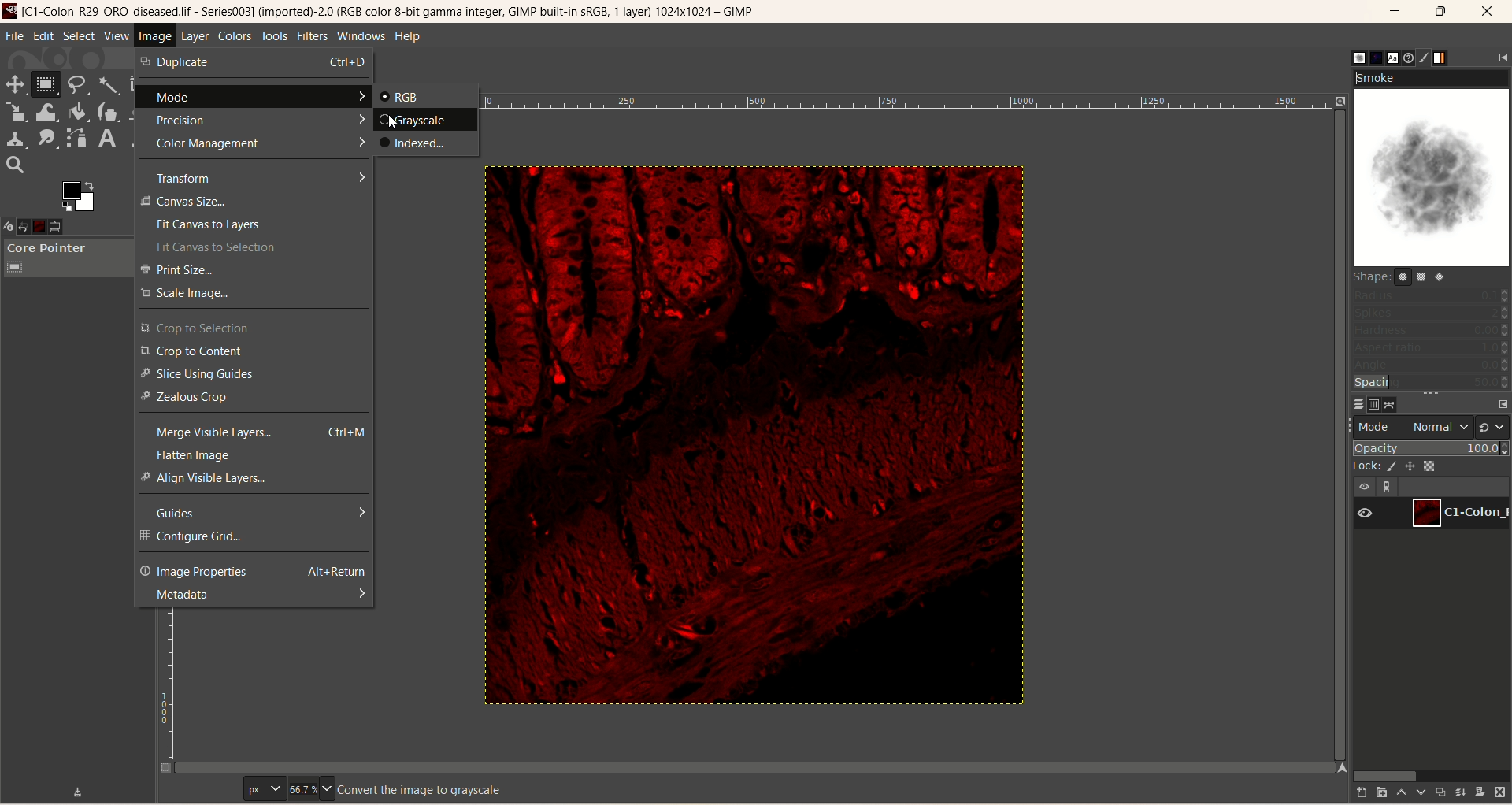 The image size is (1512, 805). What do you see at coordinates (1365, 488) in the screenshot?
I see `visibility` at bounding box center [1365, 488].